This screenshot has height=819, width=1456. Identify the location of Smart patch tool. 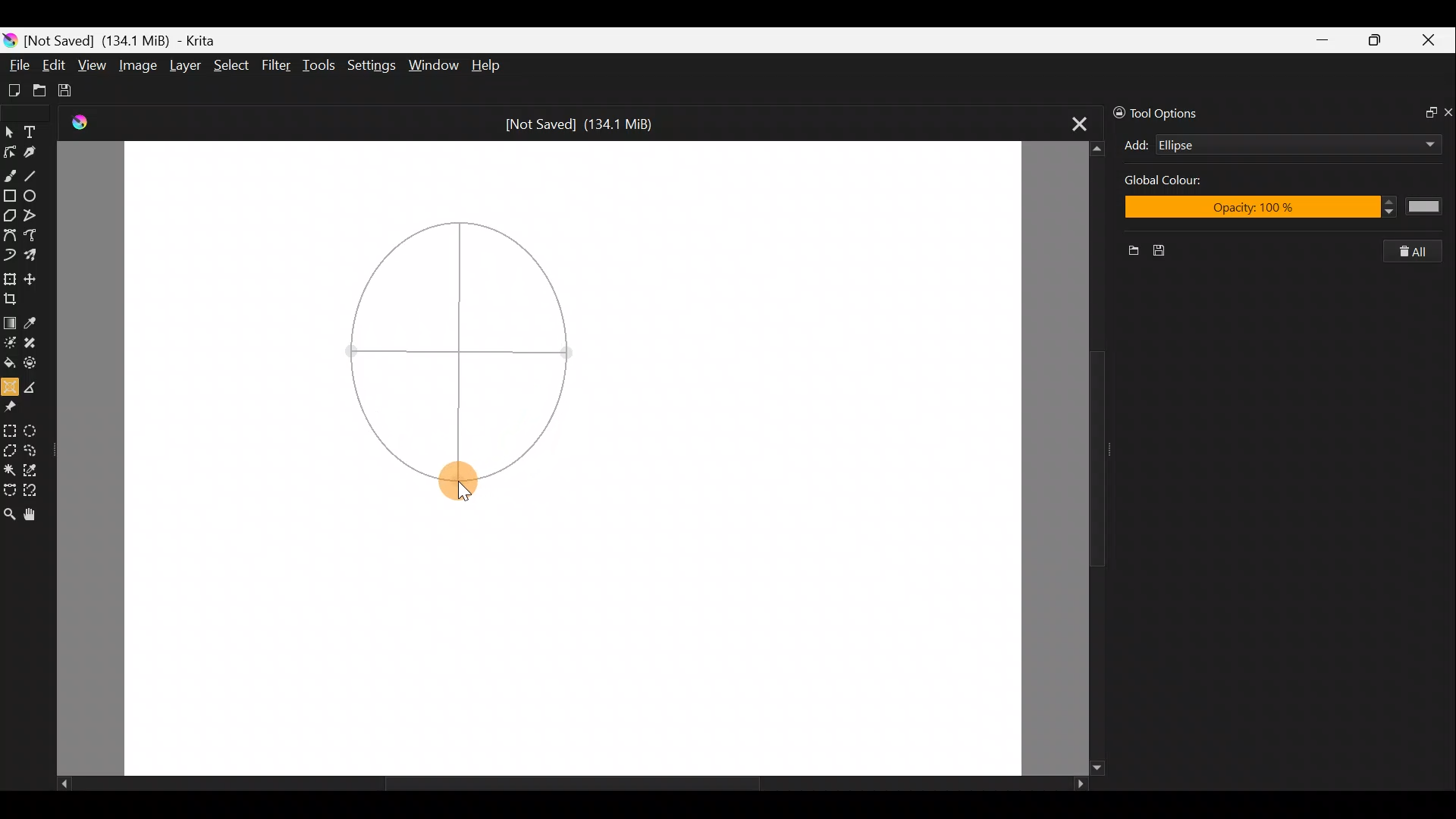
(37, 345).